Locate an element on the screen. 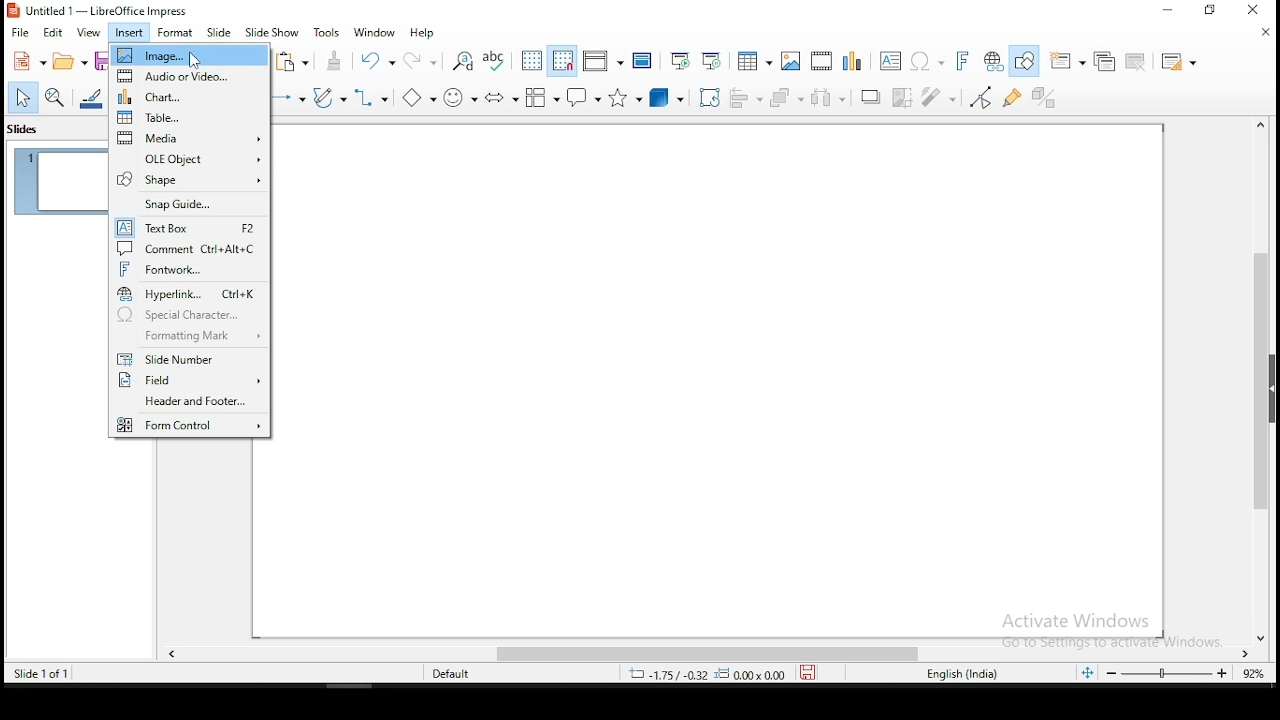  insert special characters is located at coordinates (927, 58).